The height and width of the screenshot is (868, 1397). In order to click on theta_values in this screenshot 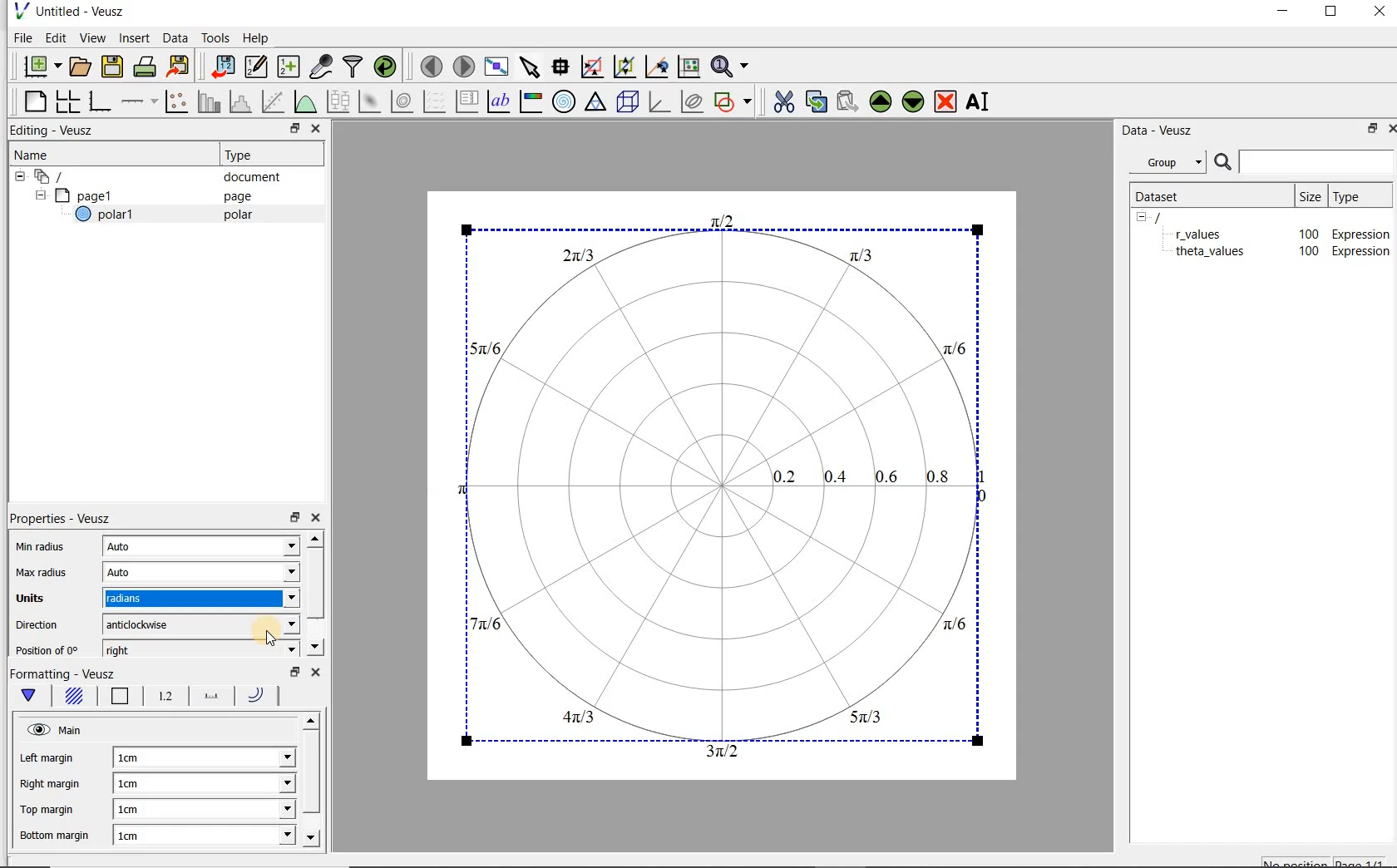, I will do `click(1212, 234)`.